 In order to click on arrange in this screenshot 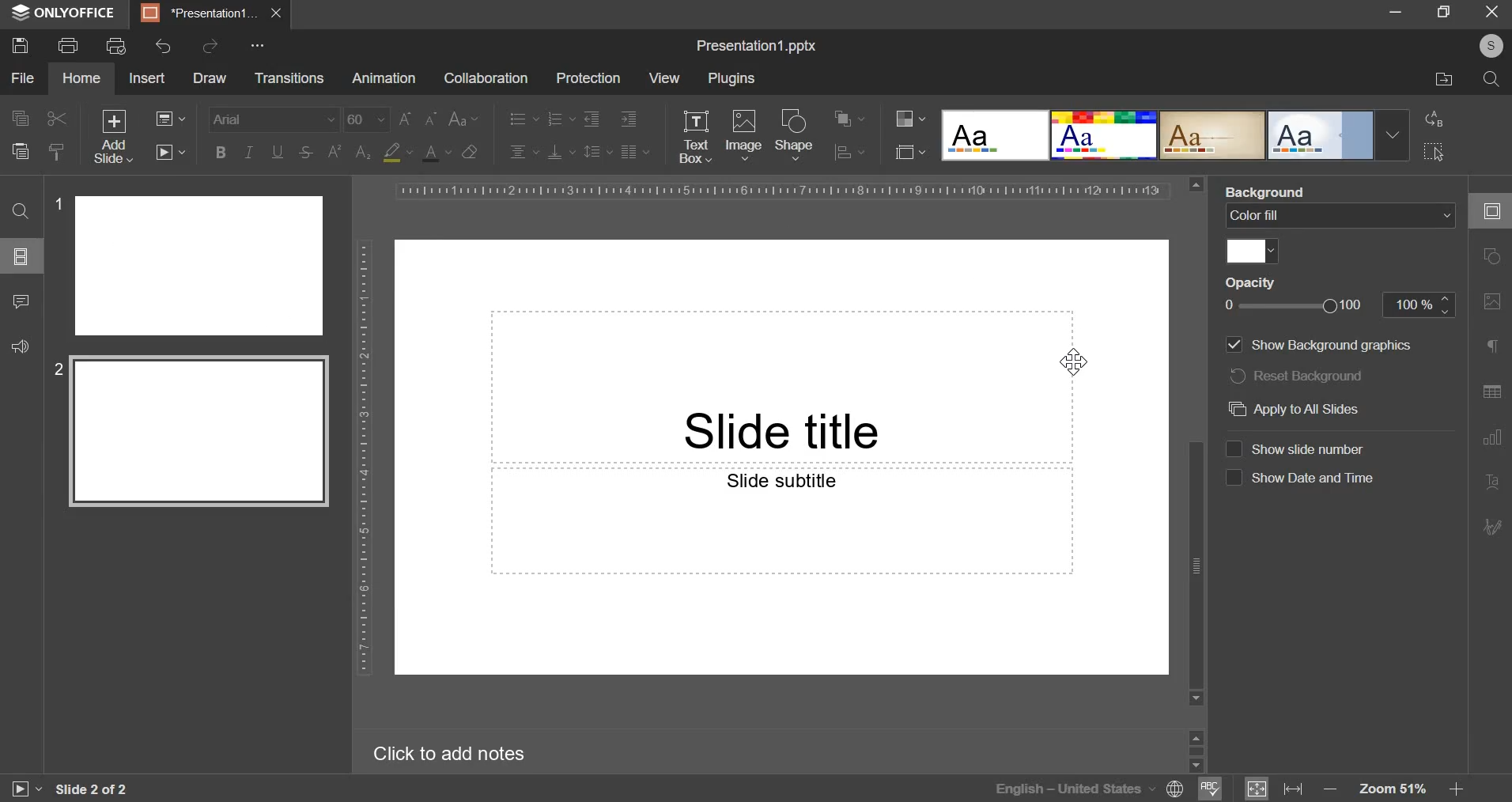, I will do `click(849, 119)`.